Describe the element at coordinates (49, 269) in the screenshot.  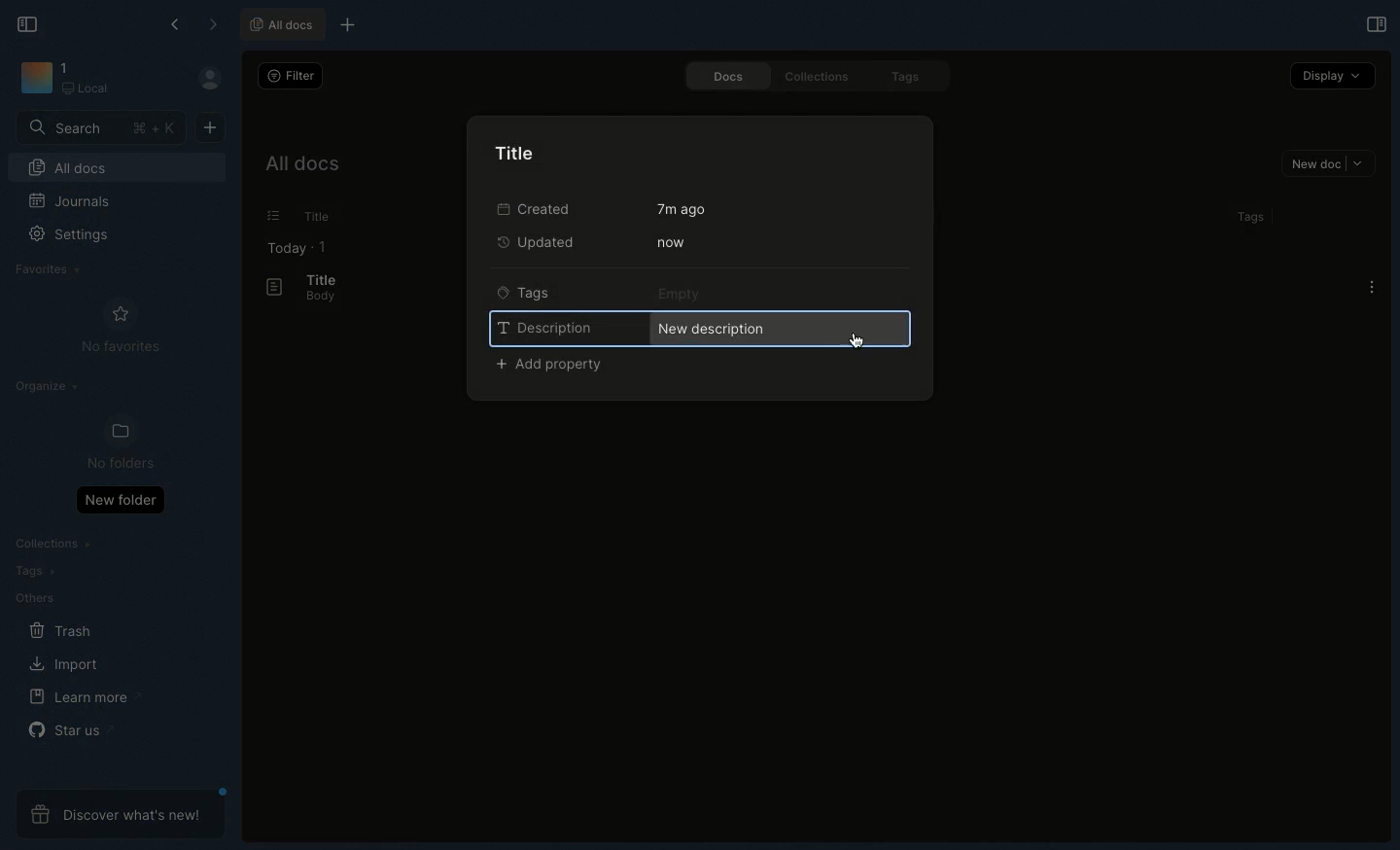
I see `Favorites` at that location.